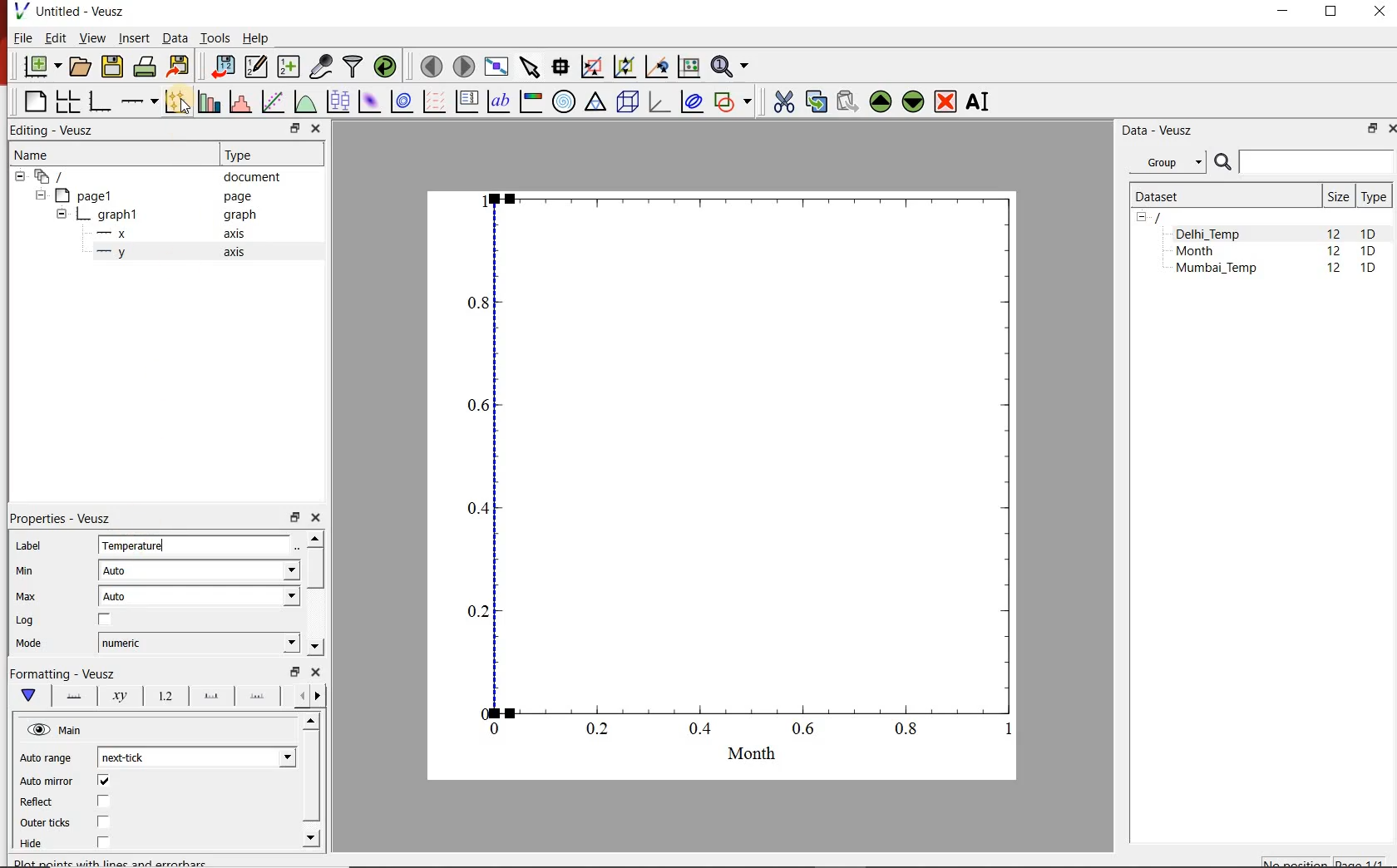 This screenshot has height=868, width=1397. Describe the element at coordinates (1331, 12) in the screenshot. I see `RESTORE` at that location.